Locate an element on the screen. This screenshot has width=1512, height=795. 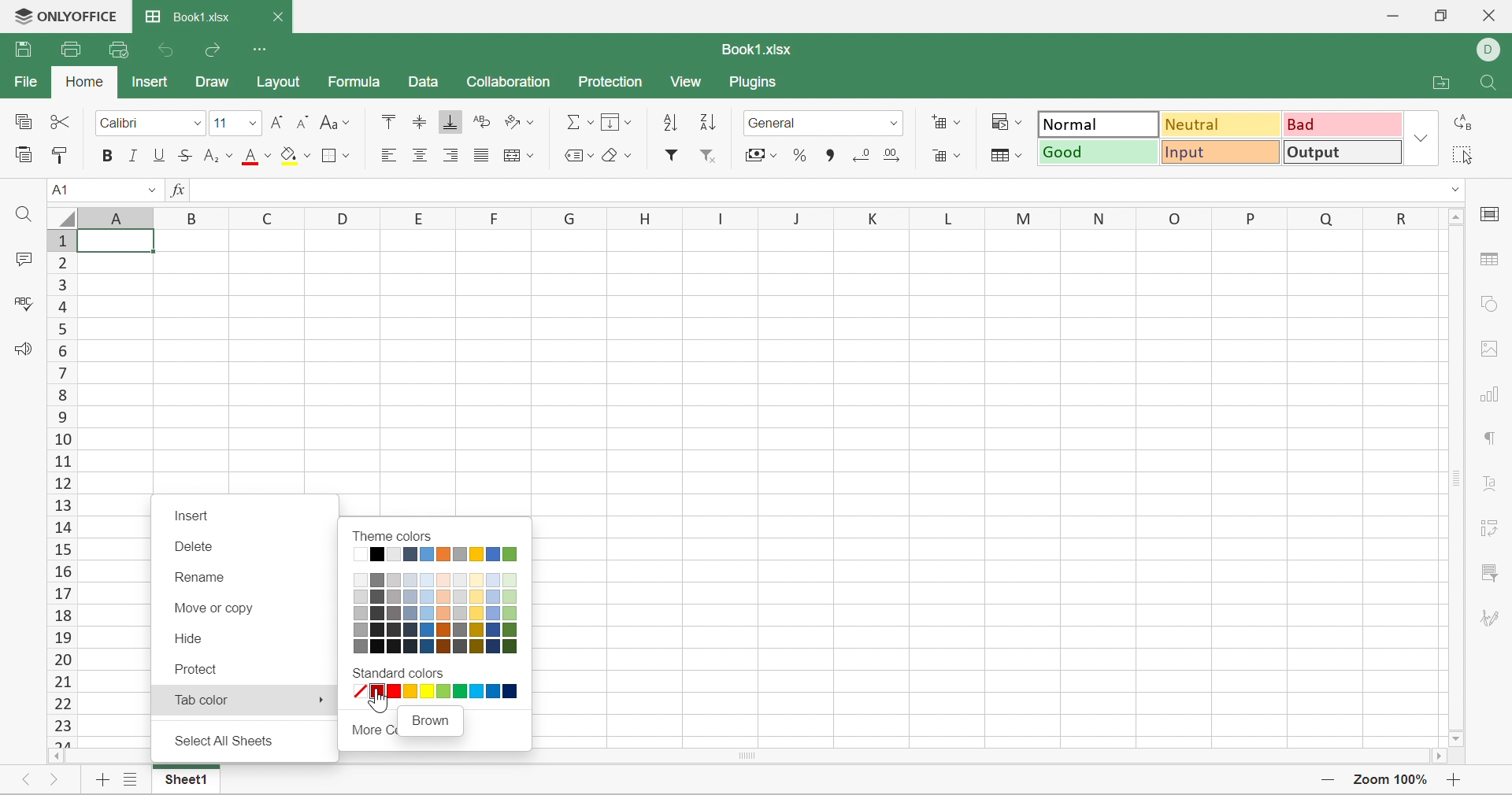
20 is located at coordinates (61, 657).